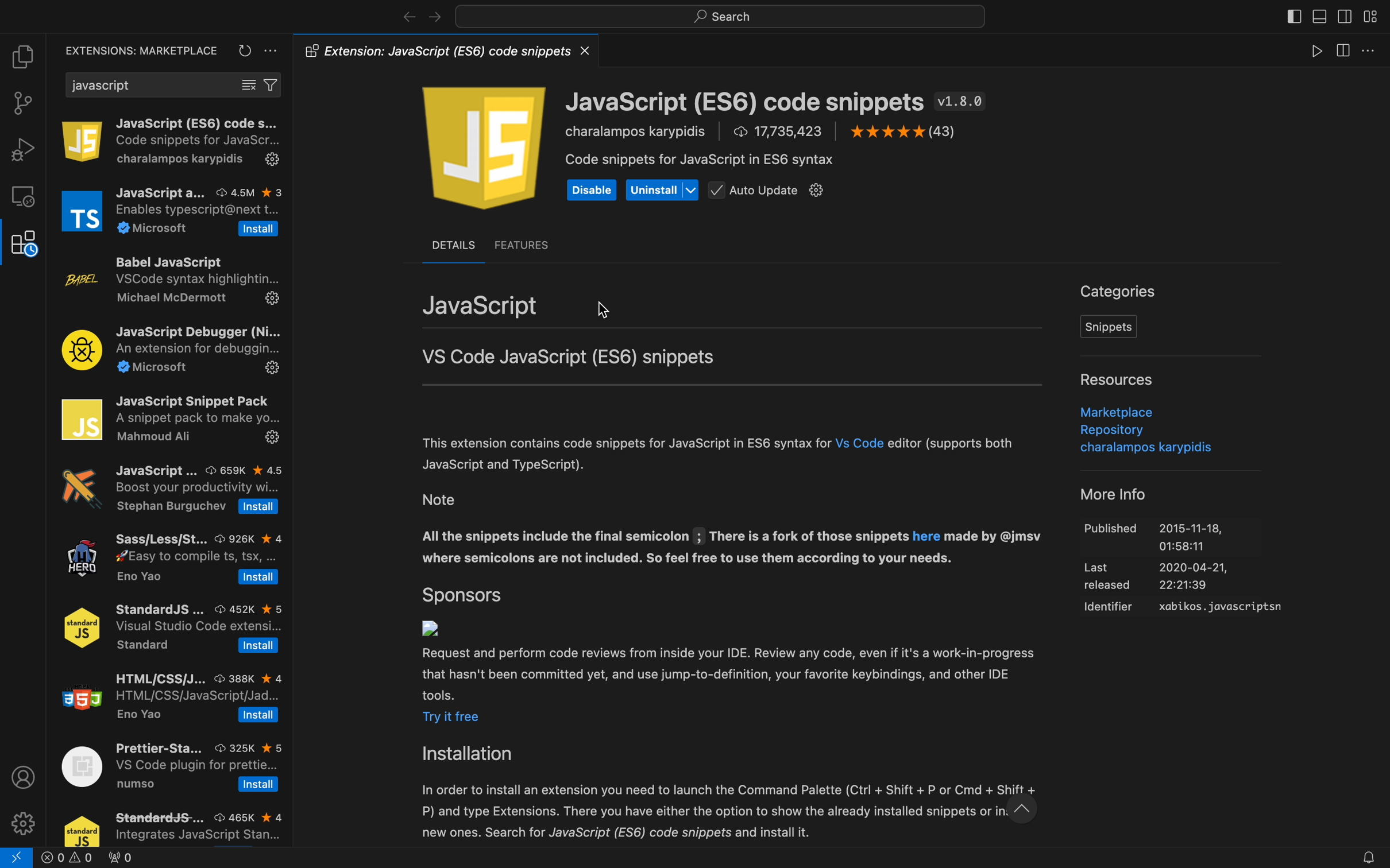  What do you see at coordinates (435, 626) in the screenshot?
I see `no icon` at bounding box center [435, 626].